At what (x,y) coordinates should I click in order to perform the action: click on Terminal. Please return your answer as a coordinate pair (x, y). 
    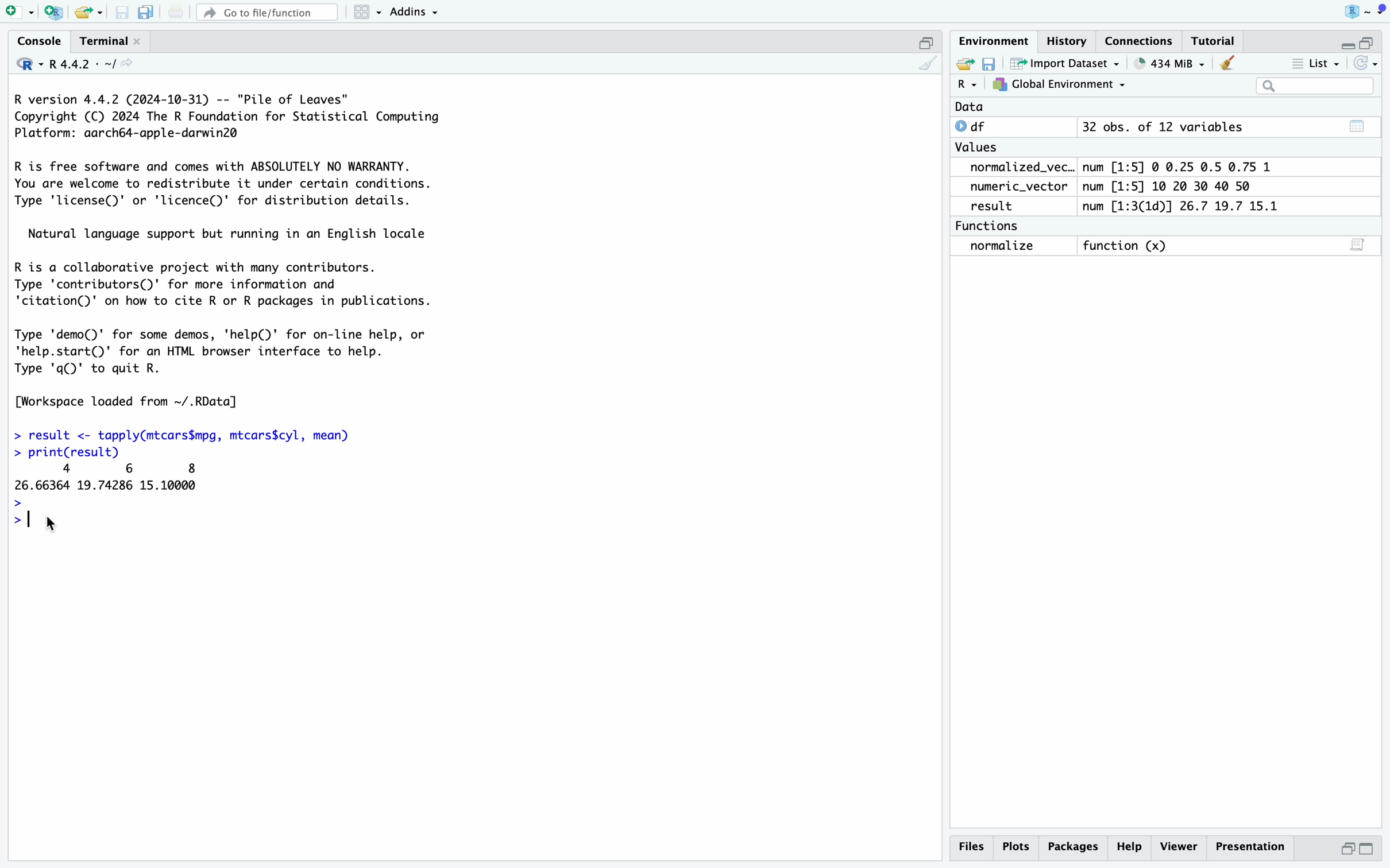
    Looking at the image, I should click on (110, 41).